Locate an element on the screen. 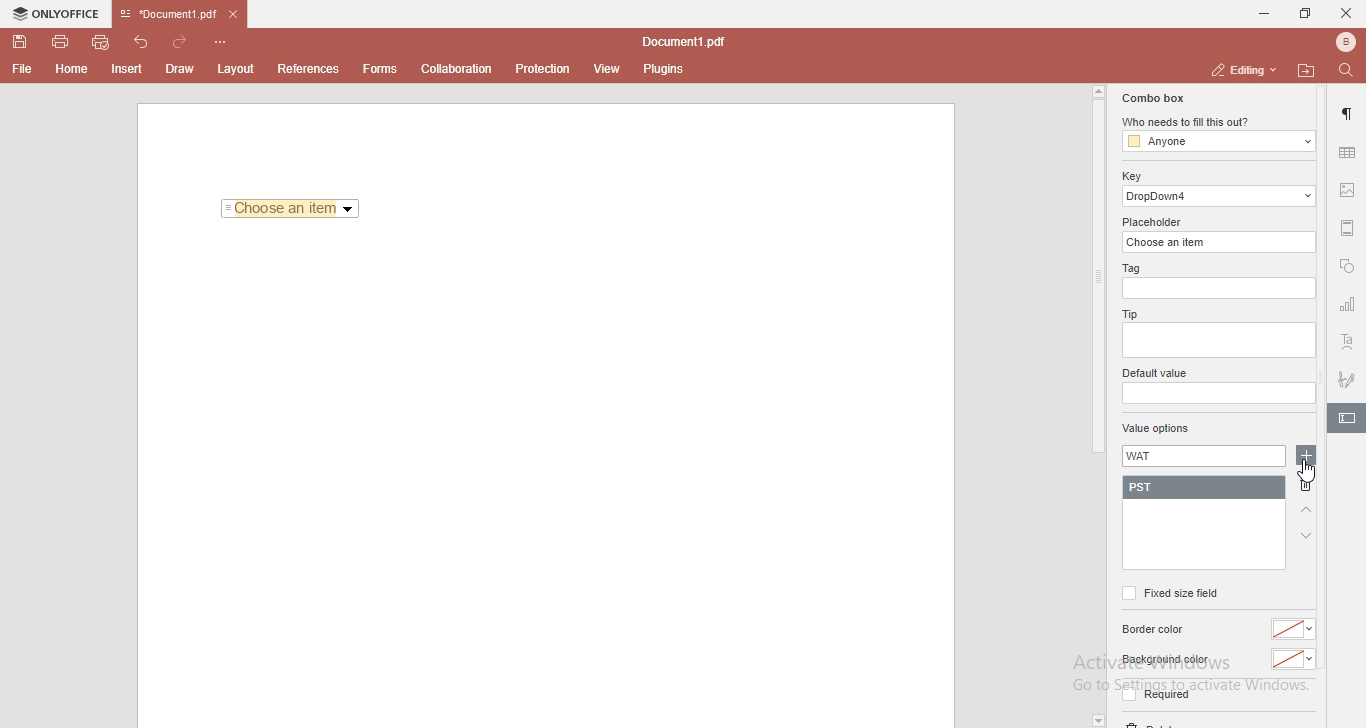  References is located at coordinates (306, 69).